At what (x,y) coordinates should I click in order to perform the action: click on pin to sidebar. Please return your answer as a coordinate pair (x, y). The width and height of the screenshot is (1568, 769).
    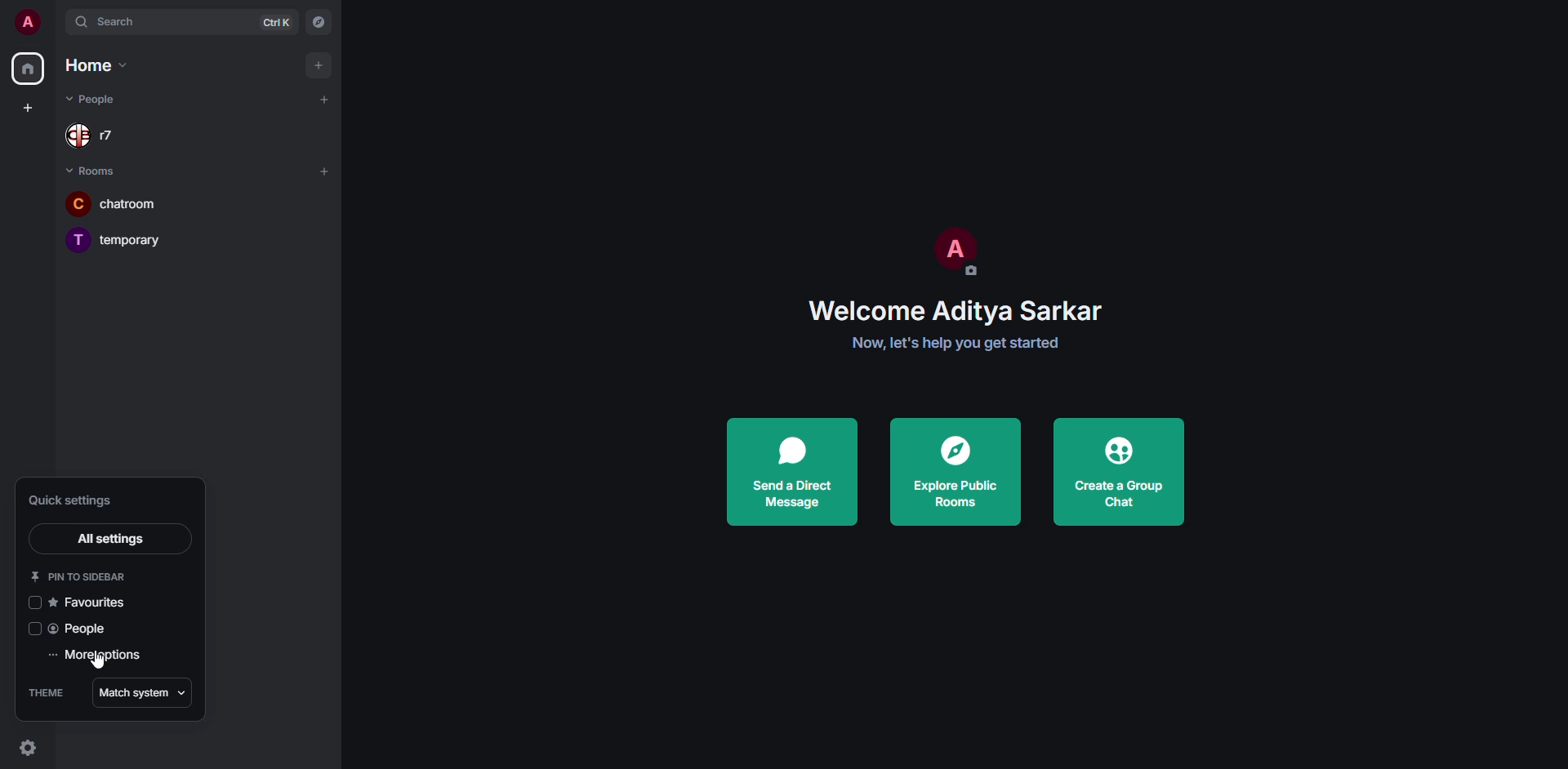
    Looking at the image, I should click on (81, 574).